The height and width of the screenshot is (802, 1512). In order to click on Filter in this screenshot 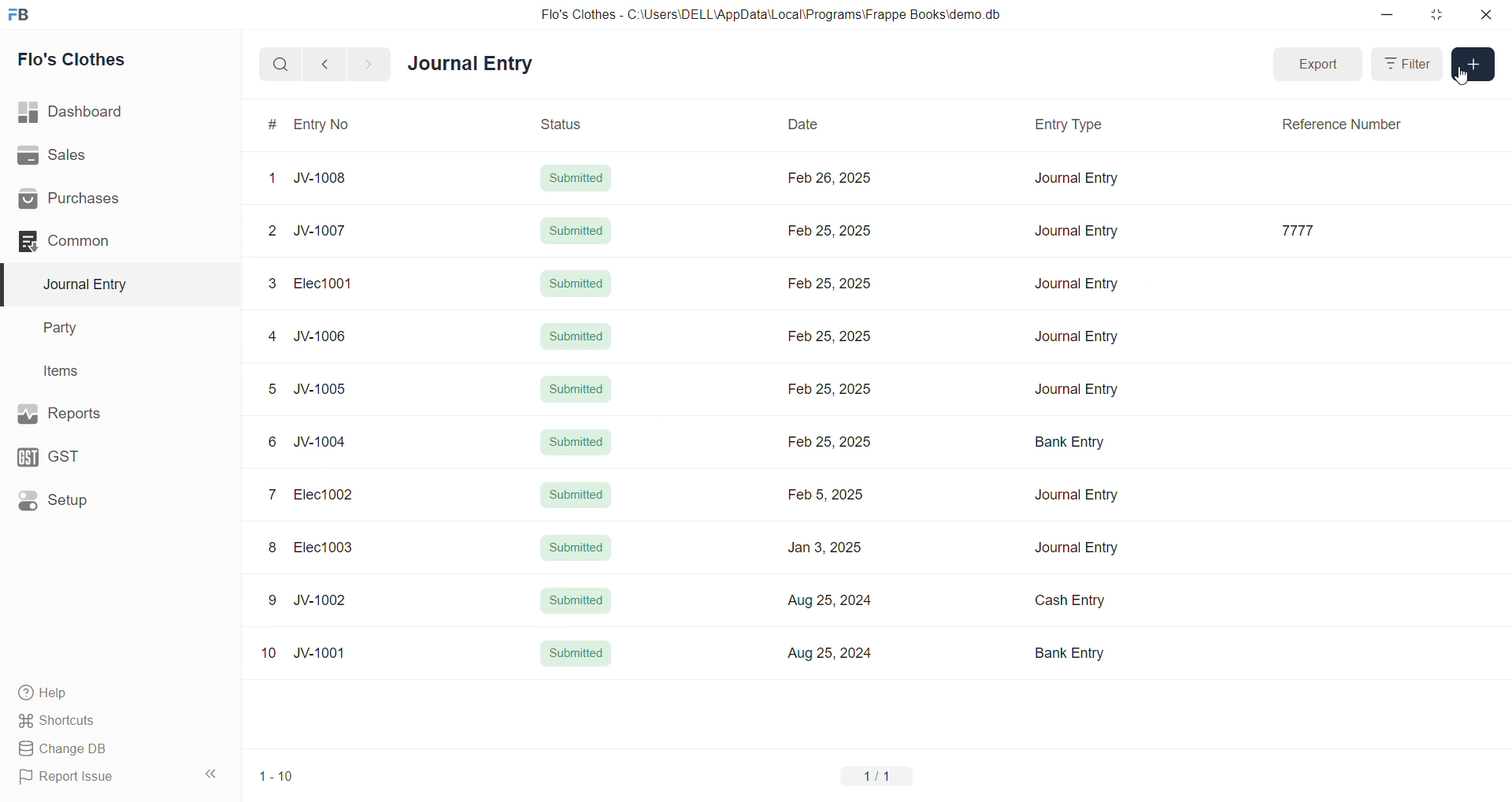, I will do `click(1408, 66)`.